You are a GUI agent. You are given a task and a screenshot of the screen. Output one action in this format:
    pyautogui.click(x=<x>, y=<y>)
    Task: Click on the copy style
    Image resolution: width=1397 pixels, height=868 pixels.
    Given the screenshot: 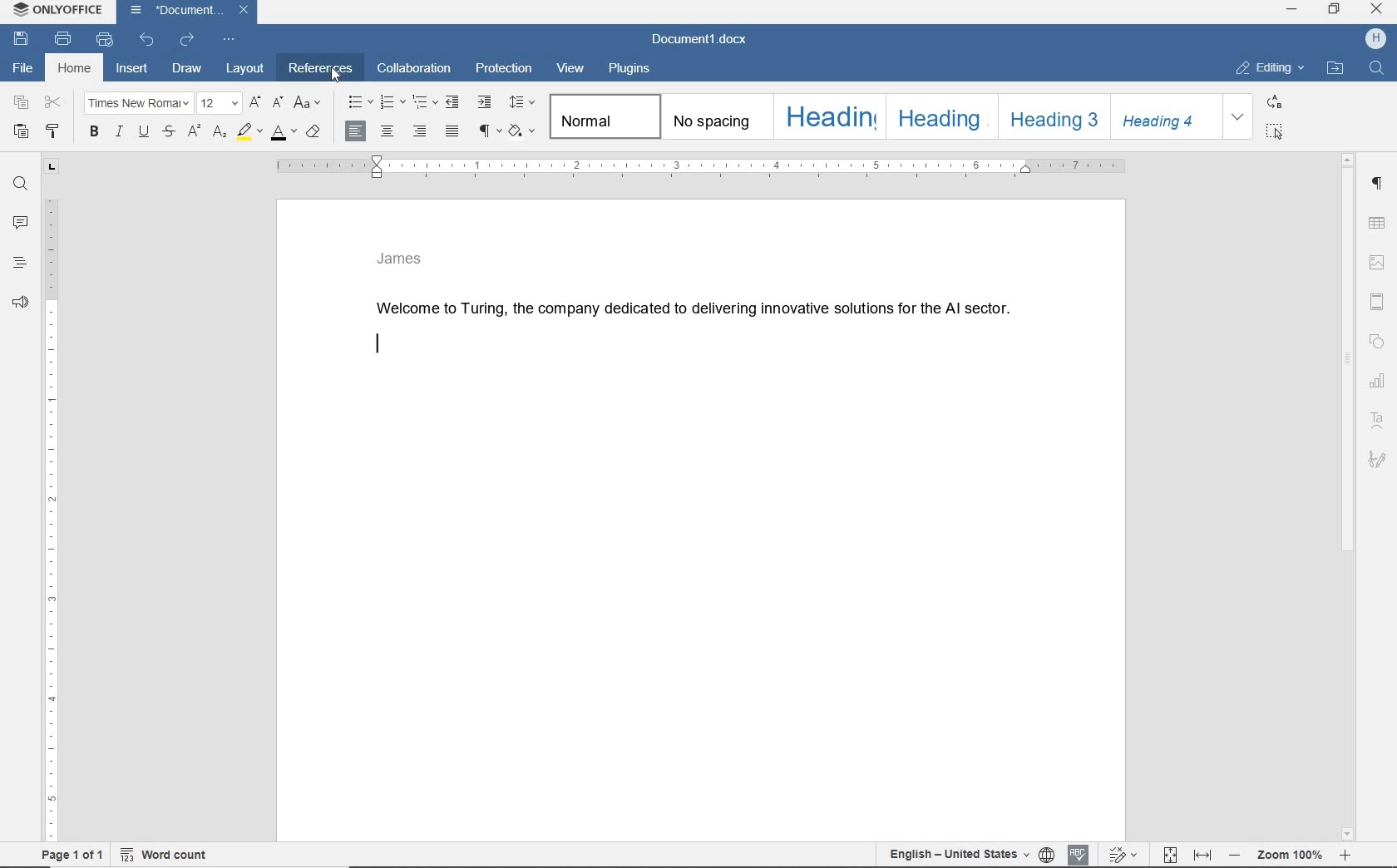 What is the action you would take?
    pyautogui.click(x=55, y=130)
    